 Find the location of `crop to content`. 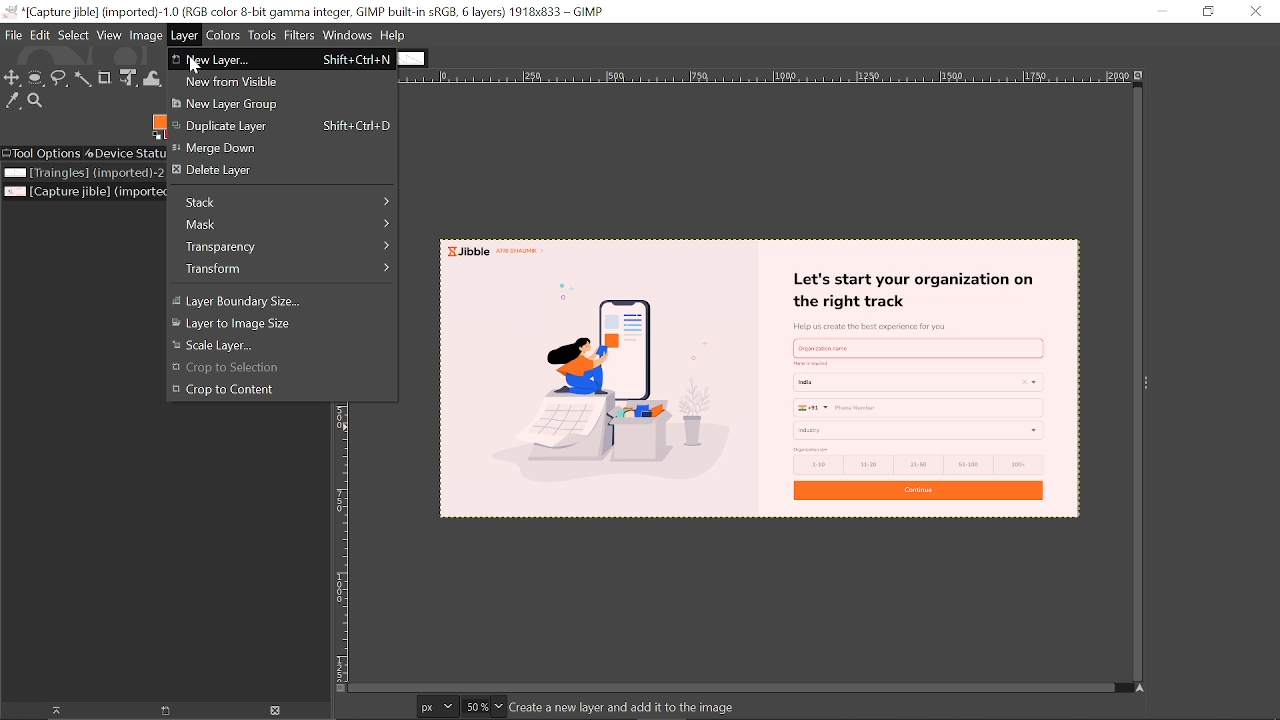

crop to content is located at coordinates (275, 390).